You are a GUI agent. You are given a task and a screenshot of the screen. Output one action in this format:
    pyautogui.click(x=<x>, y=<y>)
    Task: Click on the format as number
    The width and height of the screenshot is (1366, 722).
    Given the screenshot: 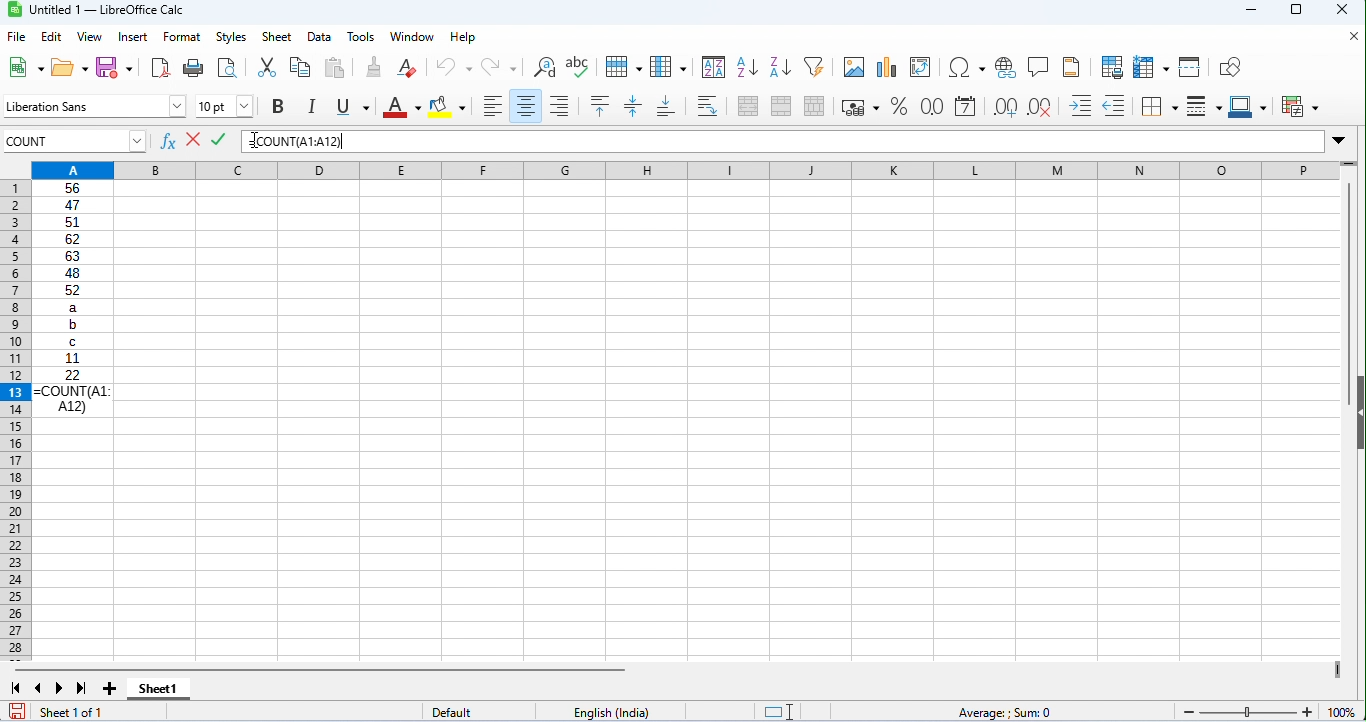 What is the action you would take?
    pyautogui.click(x=931, y=106)
    